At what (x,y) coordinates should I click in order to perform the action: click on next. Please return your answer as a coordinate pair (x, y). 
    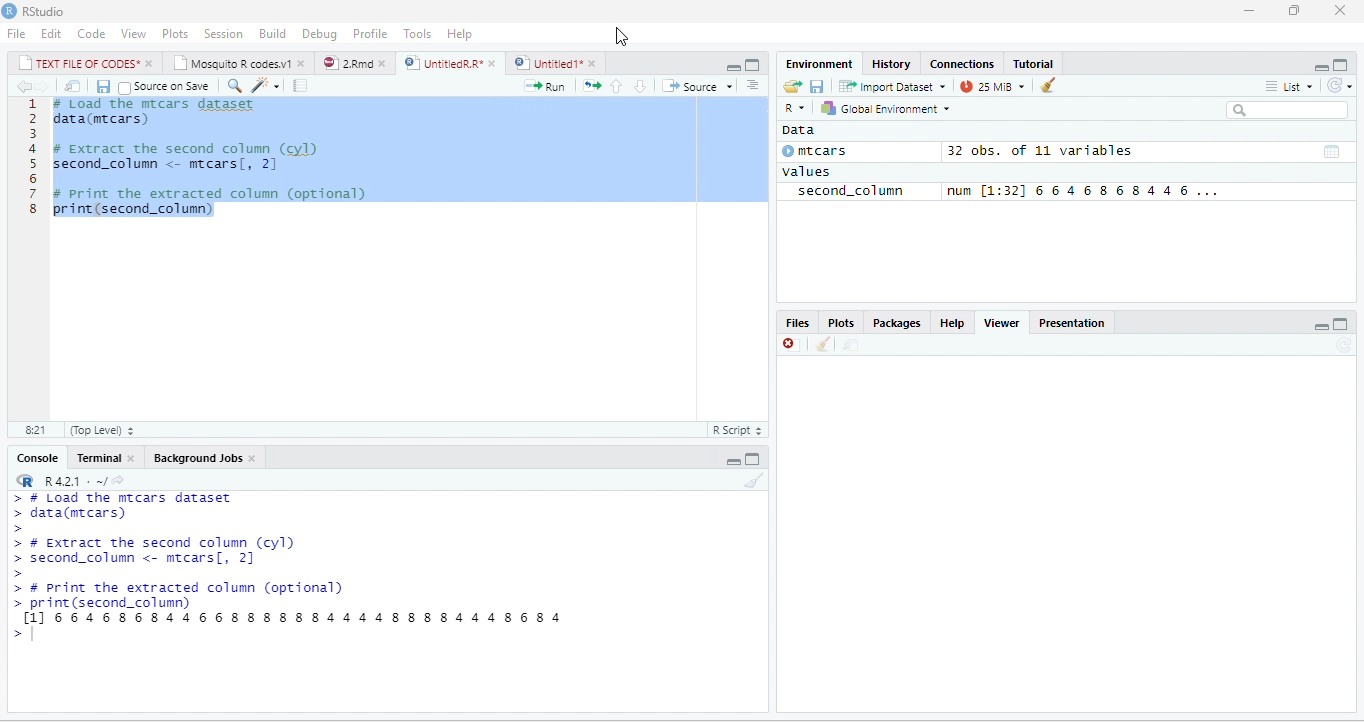
    Looking at the image, I should click on (46, 87).